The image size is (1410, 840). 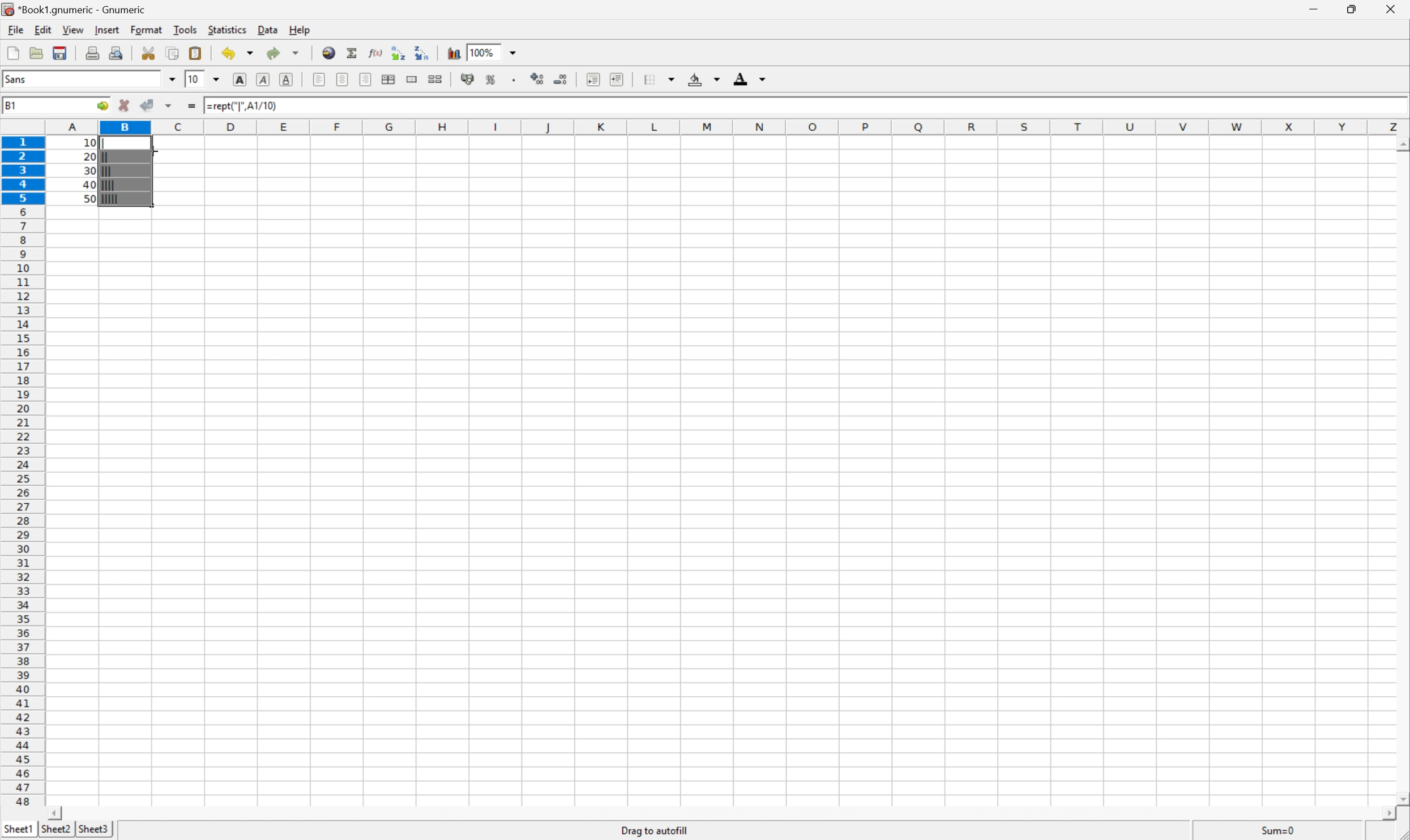 I want to click on Sans, so click(x=19, y=79).